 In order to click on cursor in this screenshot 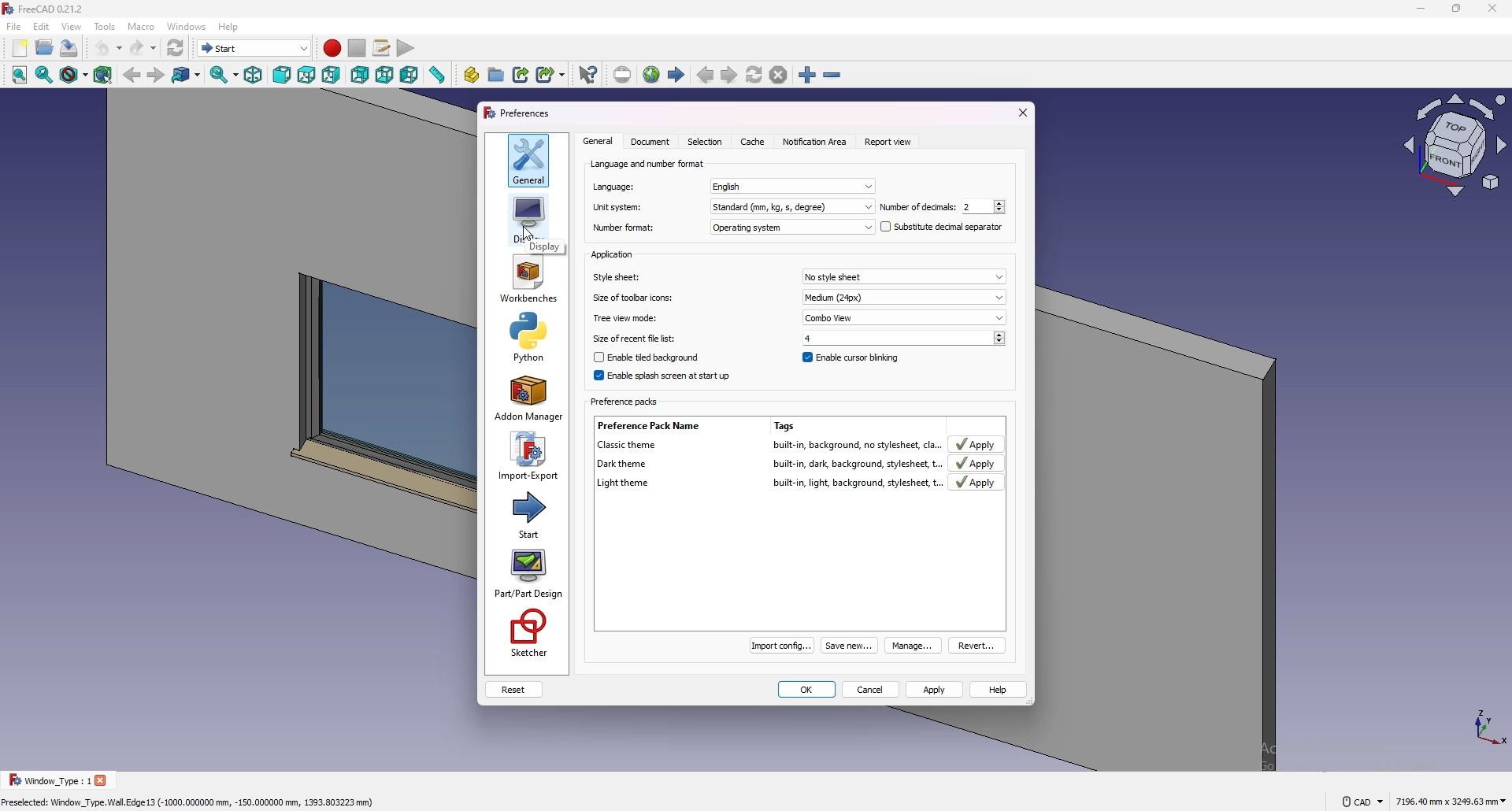, I will do `click(524, 233)`.